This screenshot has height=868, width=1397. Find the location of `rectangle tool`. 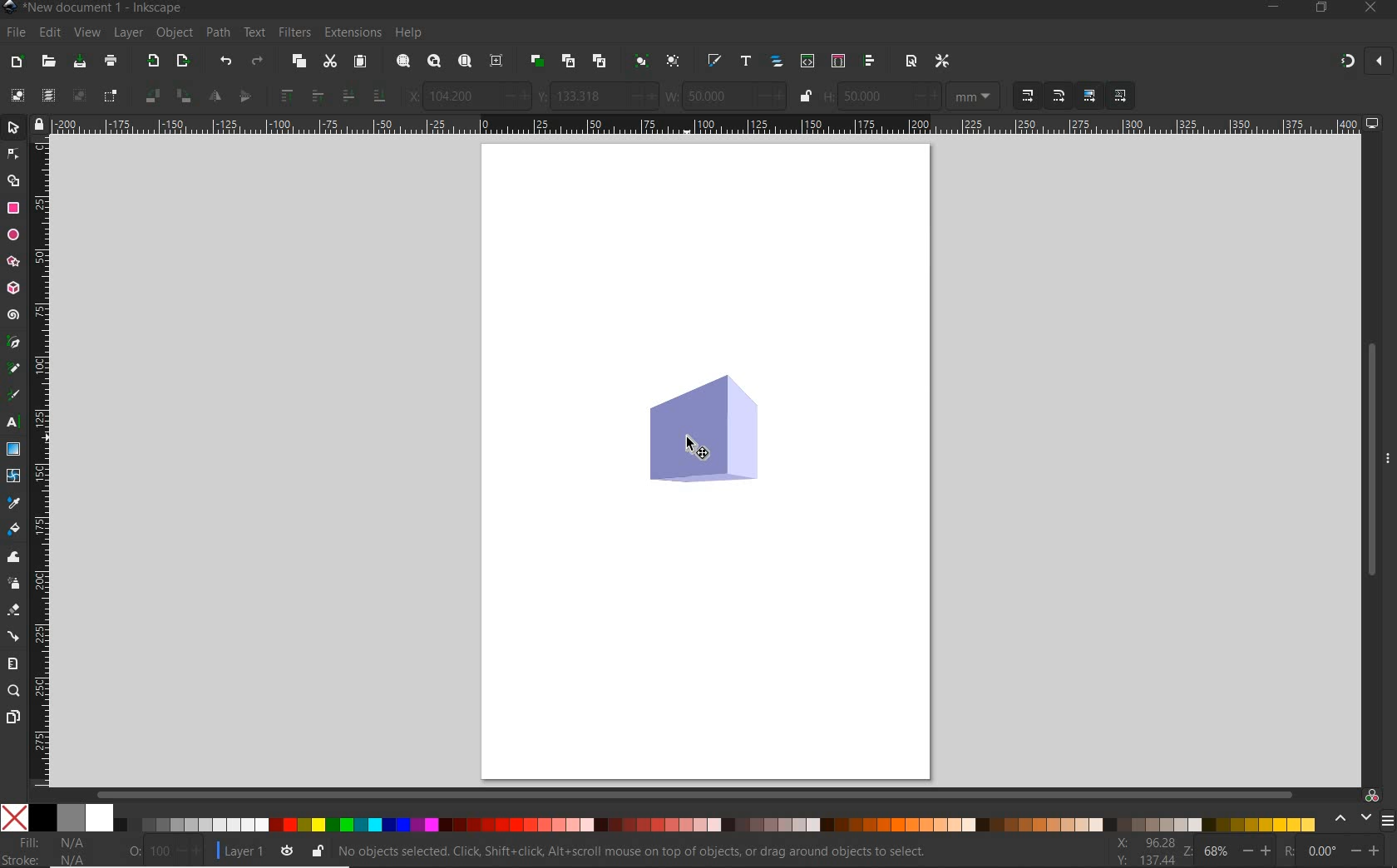

rectangle tool is located at coordinates (13, 209).